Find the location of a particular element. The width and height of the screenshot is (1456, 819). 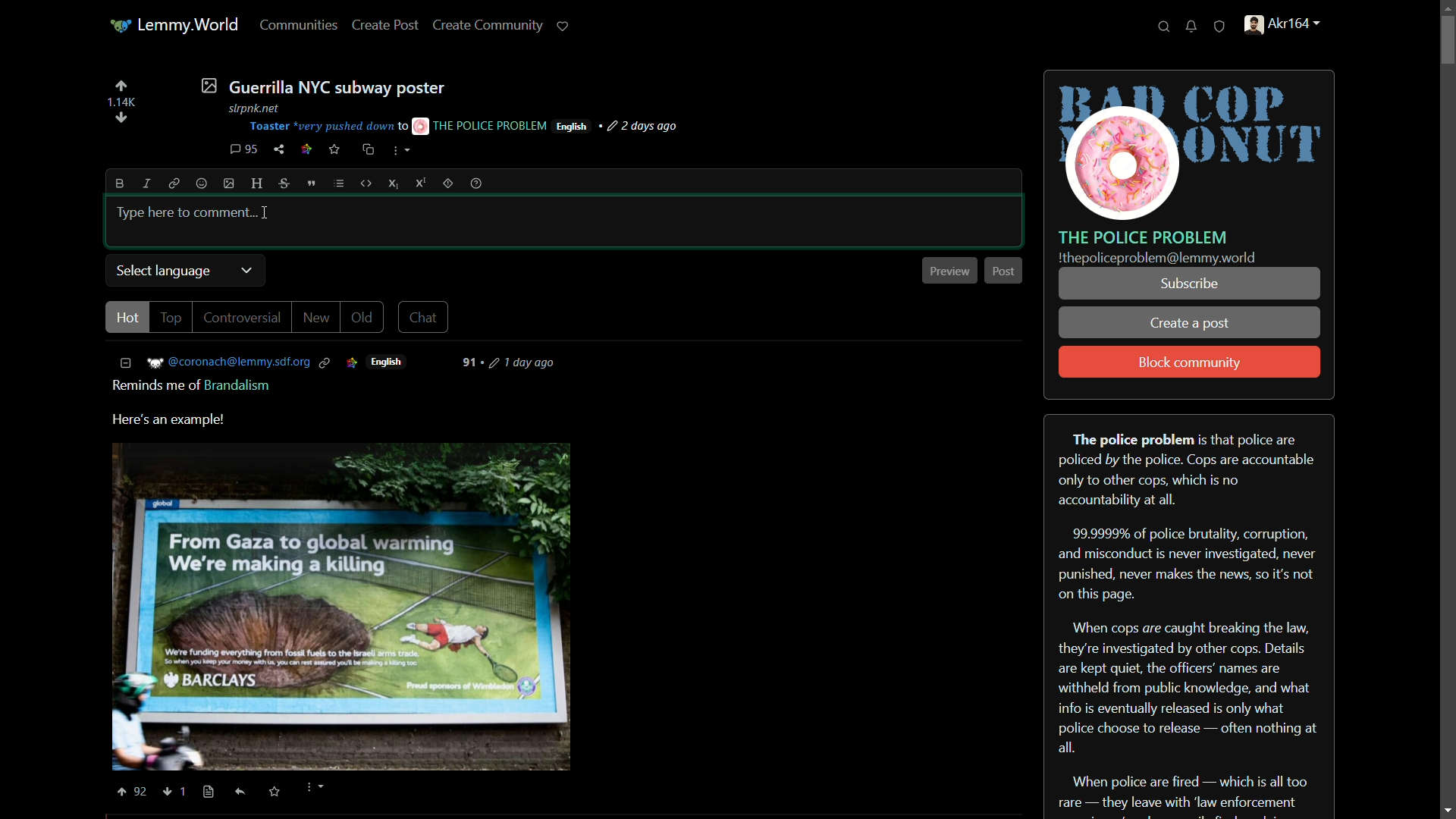

dropdown is located at coordinates (246, 270).